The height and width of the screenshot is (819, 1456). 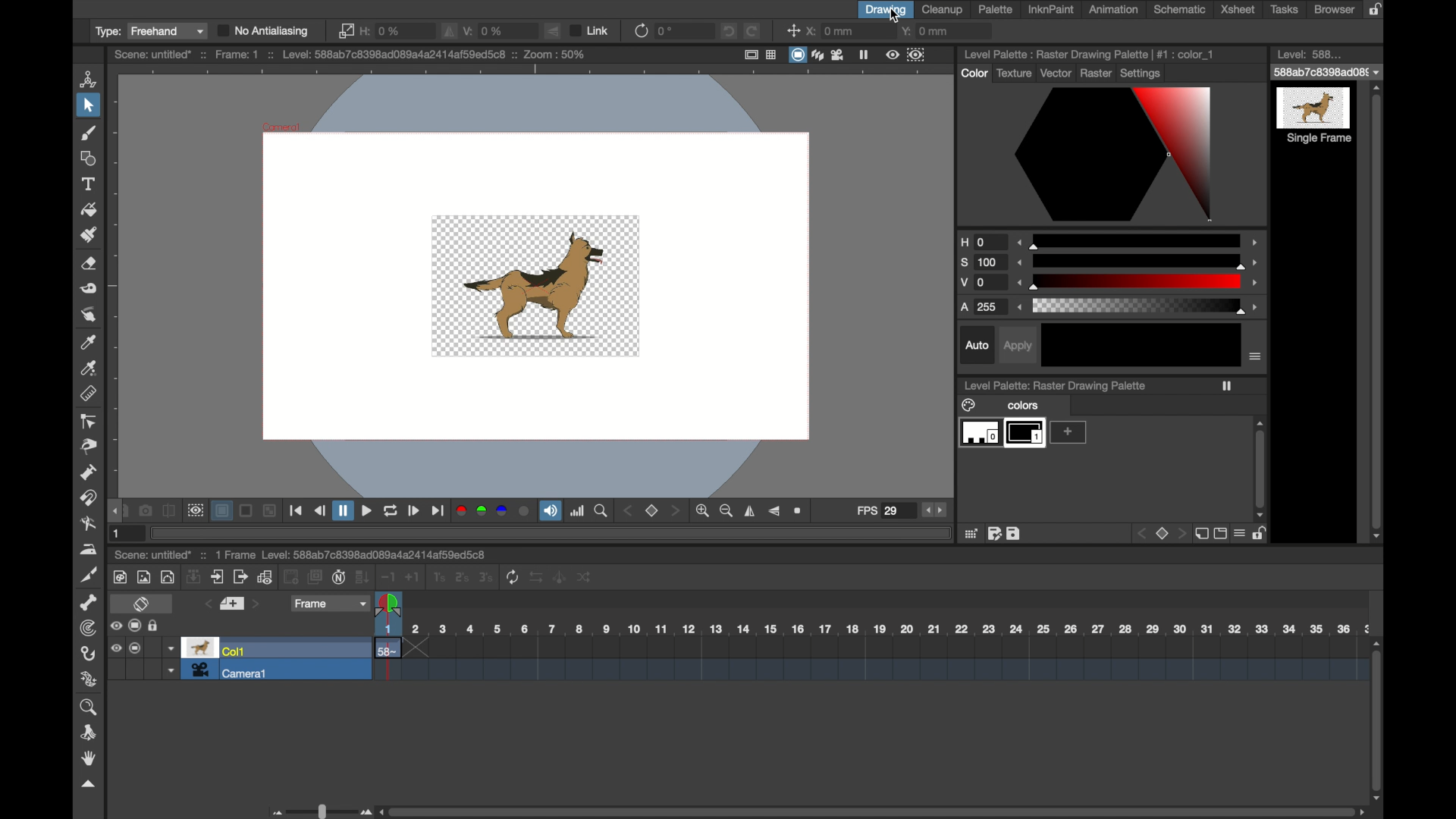 What do you see at coordinates (535, 286) in the screenshot?
I see `image` at bounding box center [535, 286].